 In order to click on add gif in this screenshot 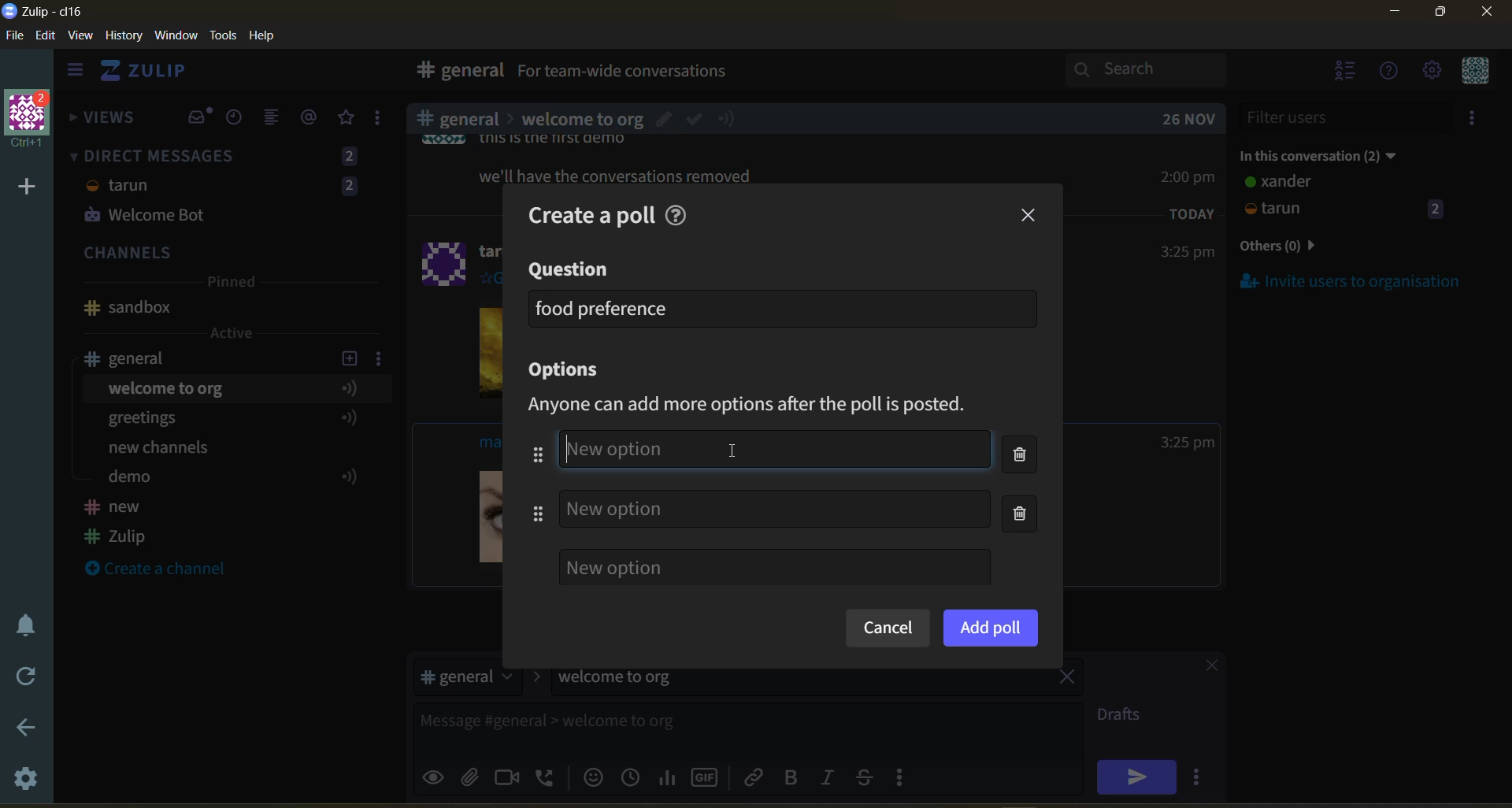, I will do `click(708, 776)`.